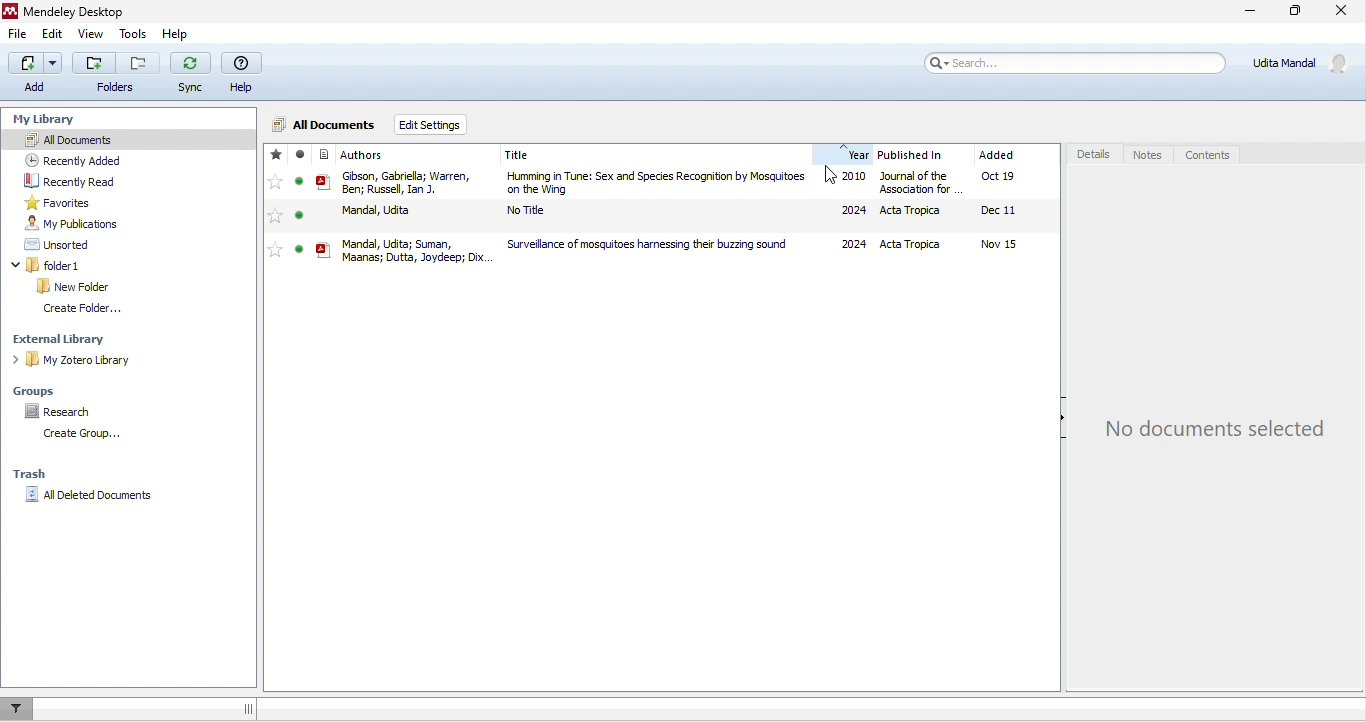 The image size is (1366, 722). Describe the element at coordinates (650, 199) in the screenshot. I see `Title

Humming in Tune: Sex and Species Recognition by Mosquitoes
onthe Wing

NoTite

Sr SS ——"` at that location.